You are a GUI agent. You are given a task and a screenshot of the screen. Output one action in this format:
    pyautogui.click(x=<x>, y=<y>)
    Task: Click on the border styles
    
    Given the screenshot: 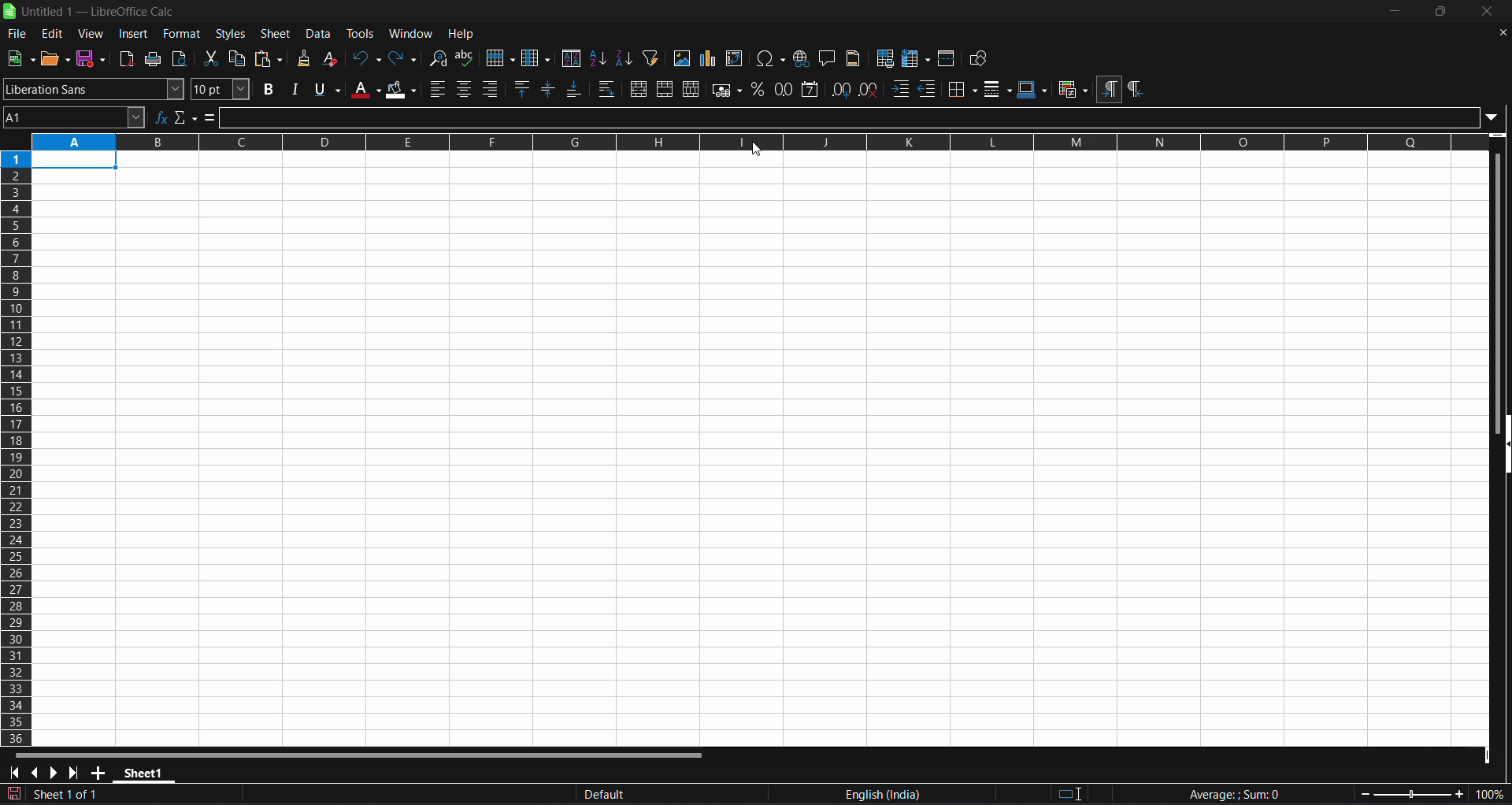 What is the action you would take?
    pyautogui.click(x=997, y=89)
    